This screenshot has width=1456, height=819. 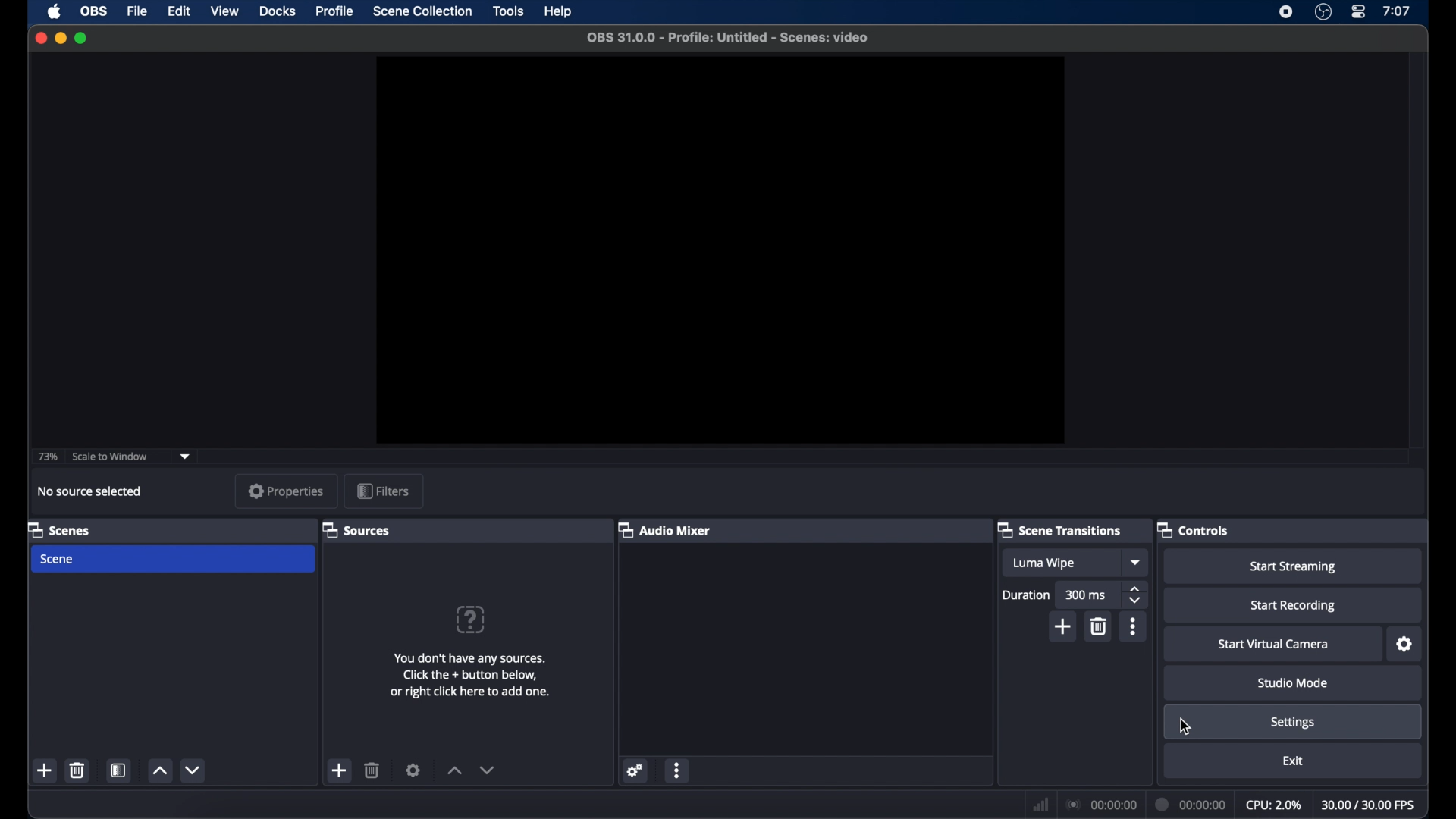 What do you see at coordinates (637, 769) in the screenshot?
I see `settings` at bounding box center [637, 769].